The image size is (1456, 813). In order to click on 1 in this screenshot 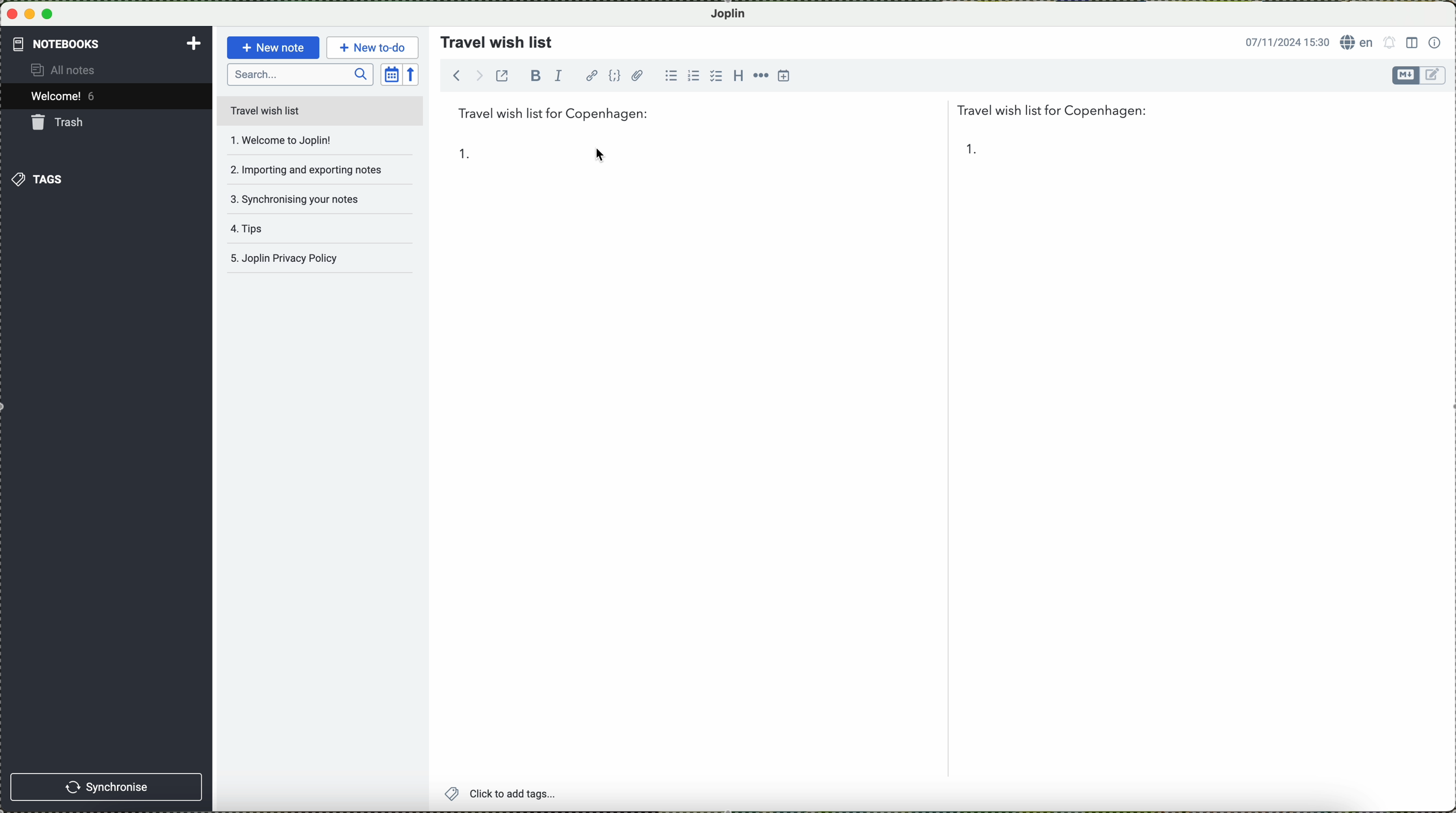, I will do `click(972, 147)`.